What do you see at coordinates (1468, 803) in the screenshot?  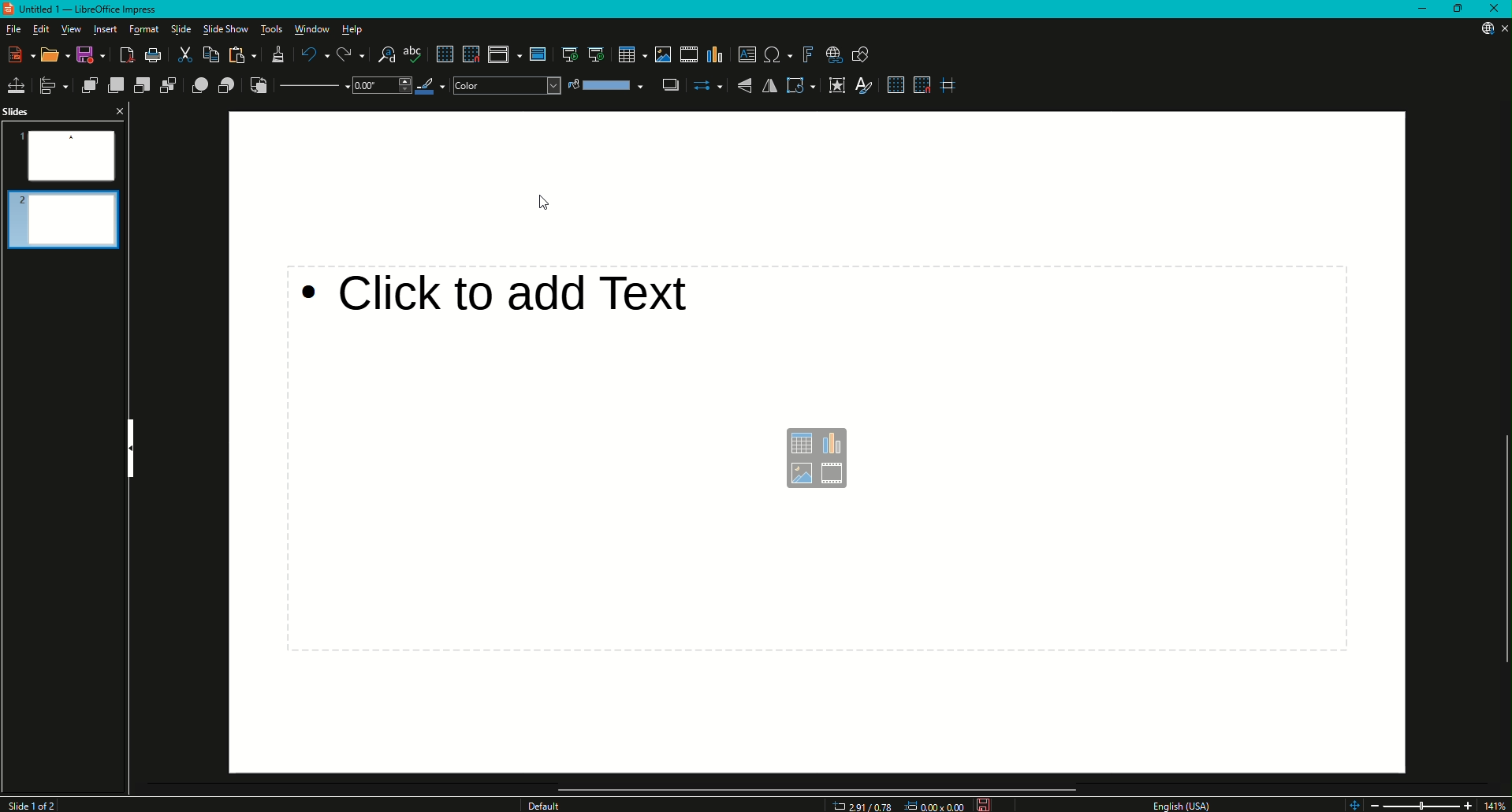 I see `Zoom In` at bounding box center [1468, 803].